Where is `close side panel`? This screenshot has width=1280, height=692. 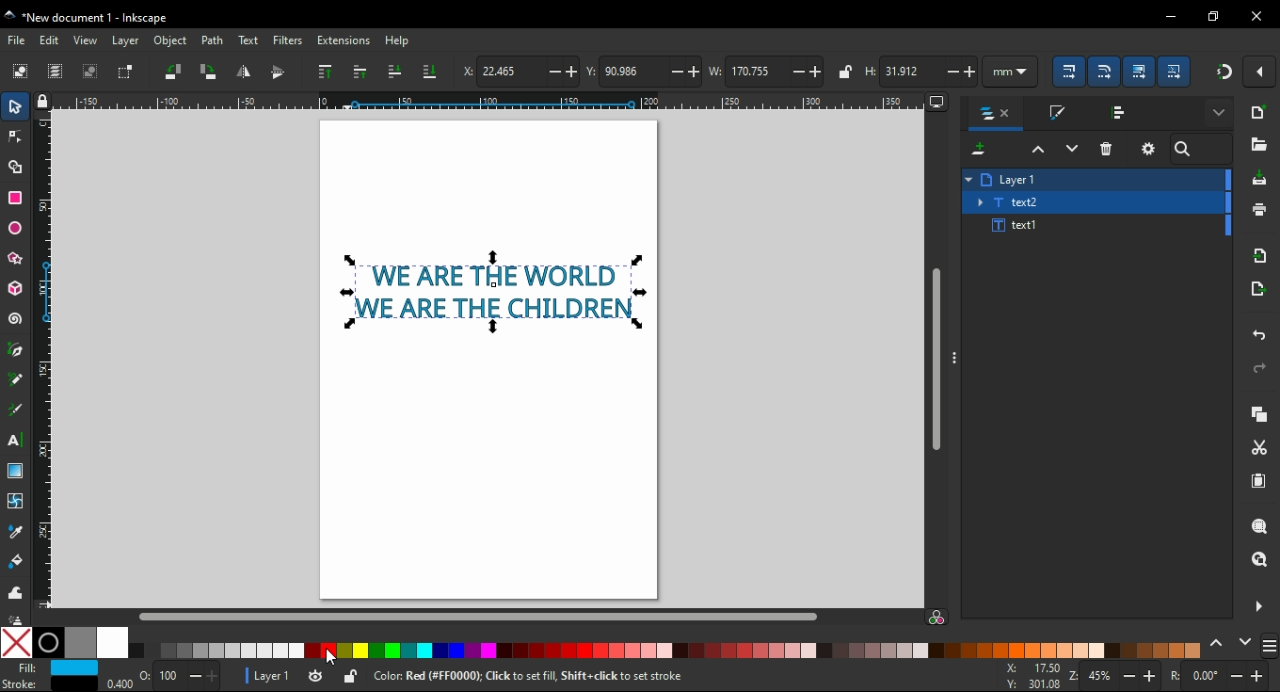
close side panel is located at coordinates (1257, 607).